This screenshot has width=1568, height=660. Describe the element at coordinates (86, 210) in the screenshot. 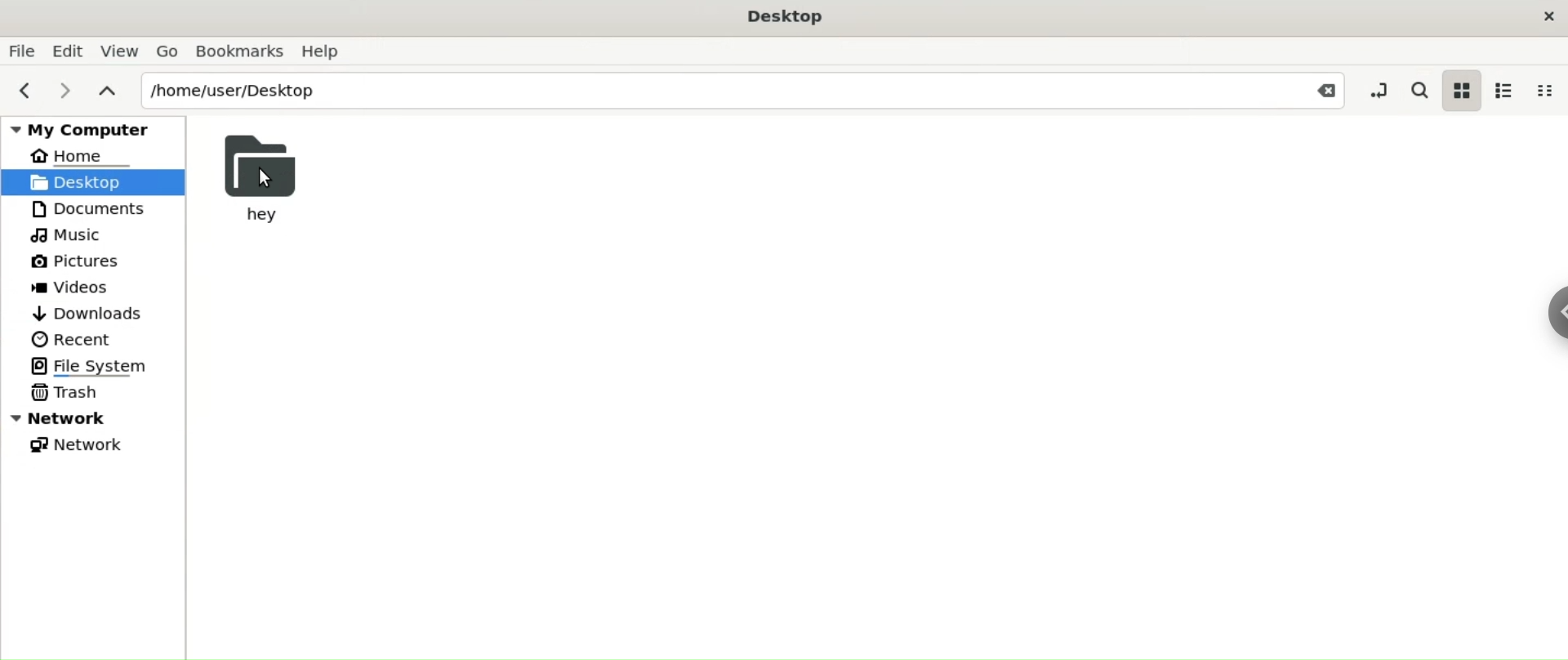

I see `Documents` at that location.